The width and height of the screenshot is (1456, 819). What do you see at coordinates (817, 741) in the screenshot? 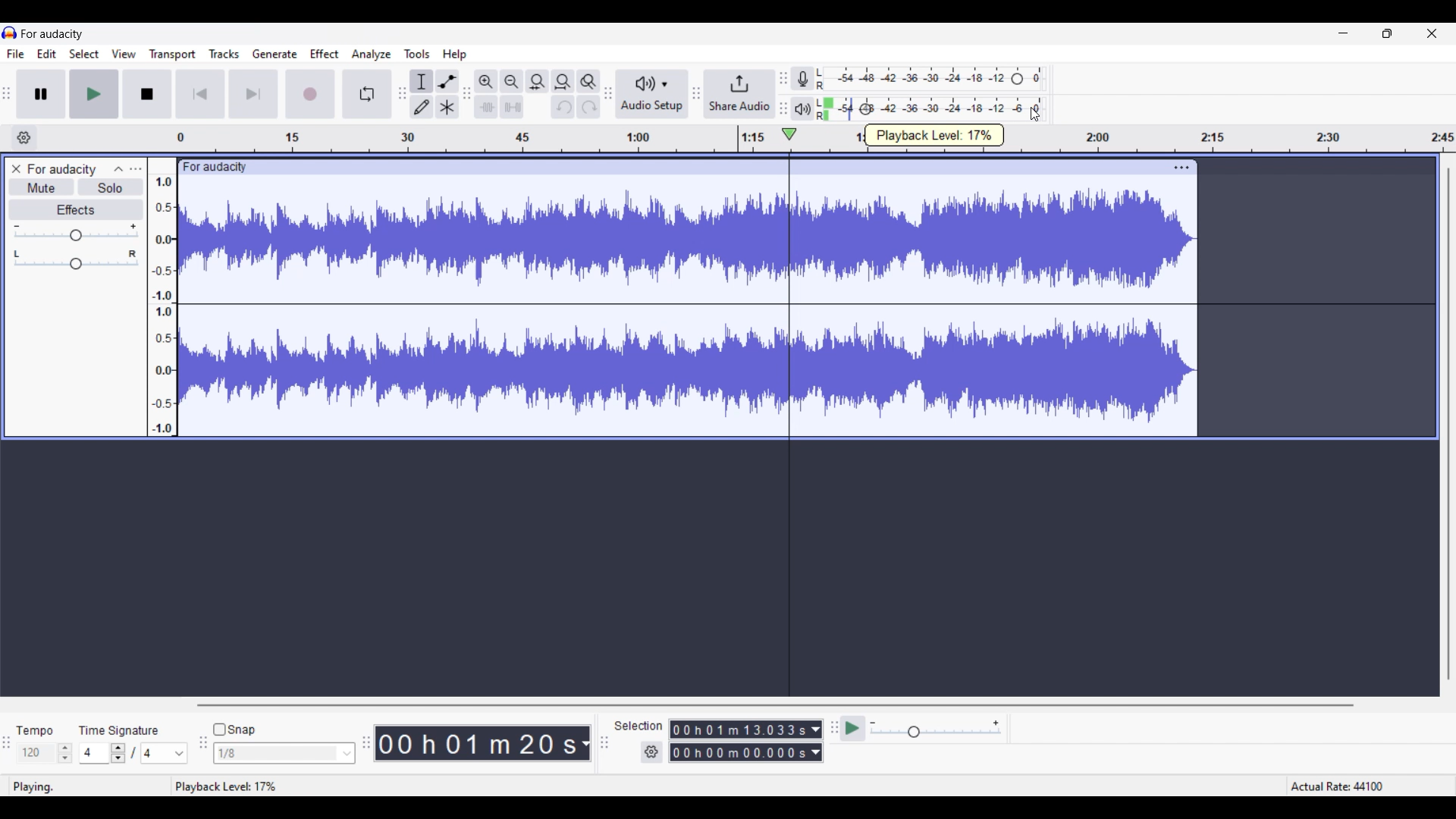
I see `Duration measurement options ` at bounding box center [817, 741].